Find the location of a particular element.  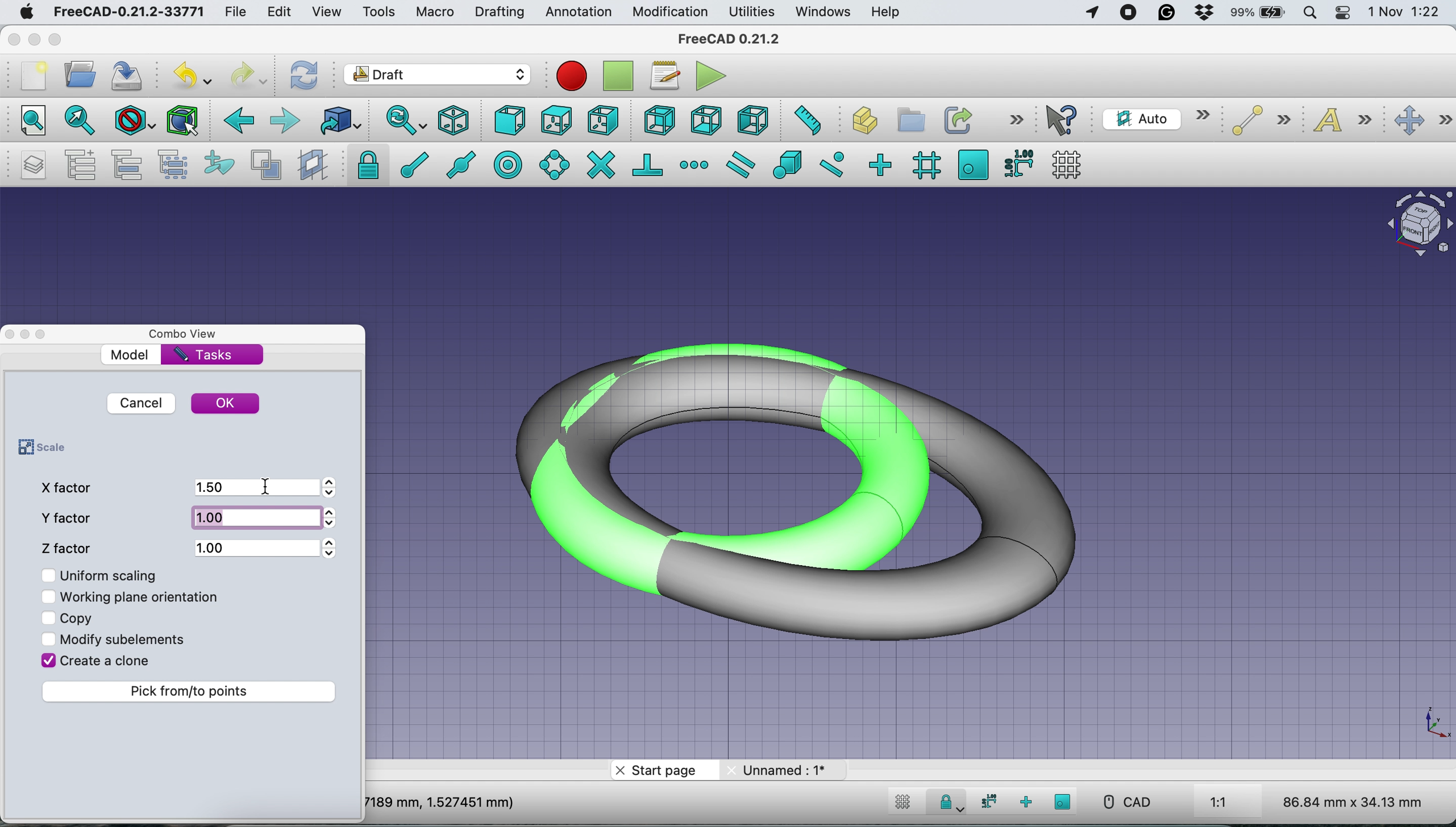

add a new named group is located at coordinates (81, 164).